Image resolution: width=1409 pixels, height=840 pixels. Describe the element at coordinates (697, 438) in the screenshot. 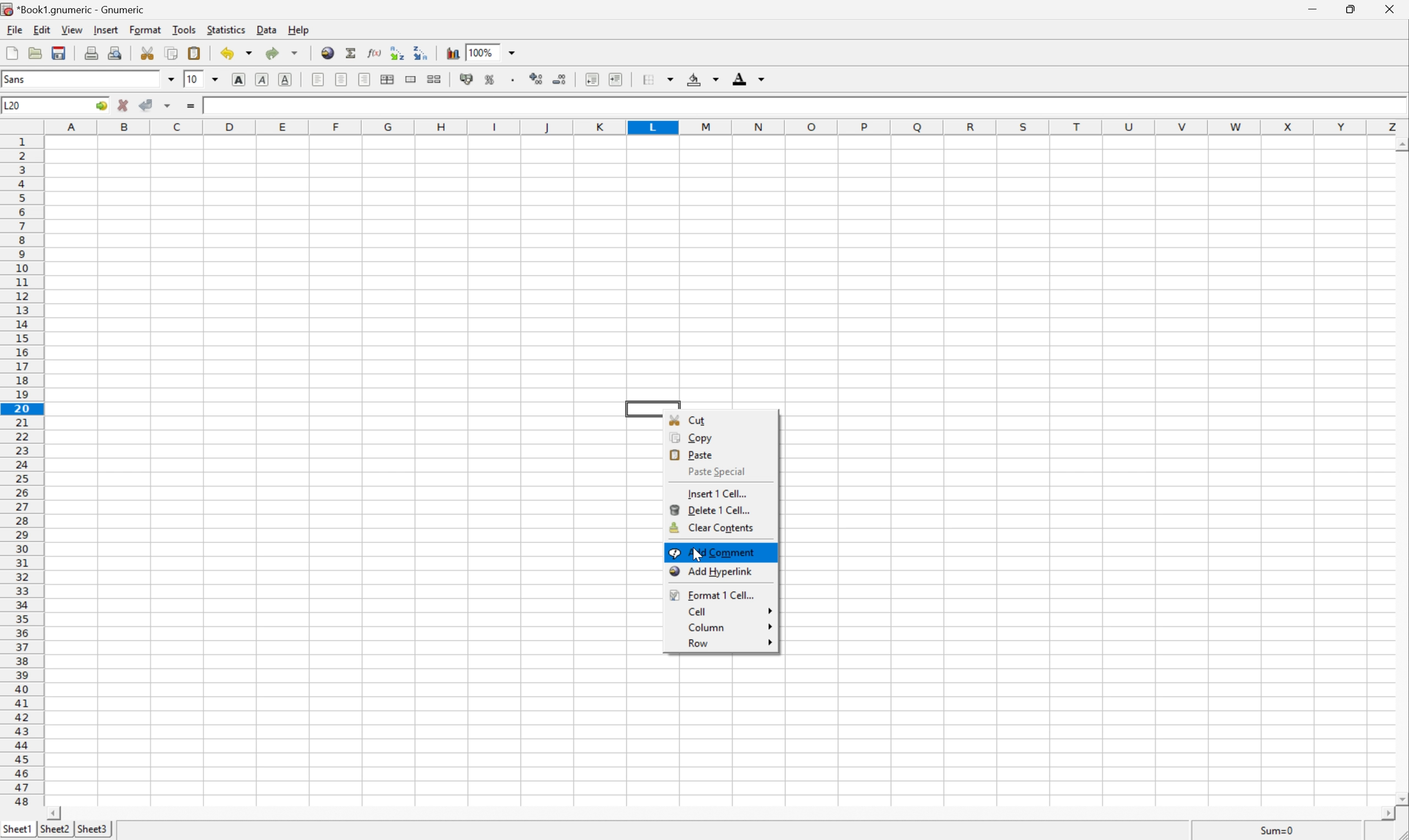

I see `Copy` at that location.